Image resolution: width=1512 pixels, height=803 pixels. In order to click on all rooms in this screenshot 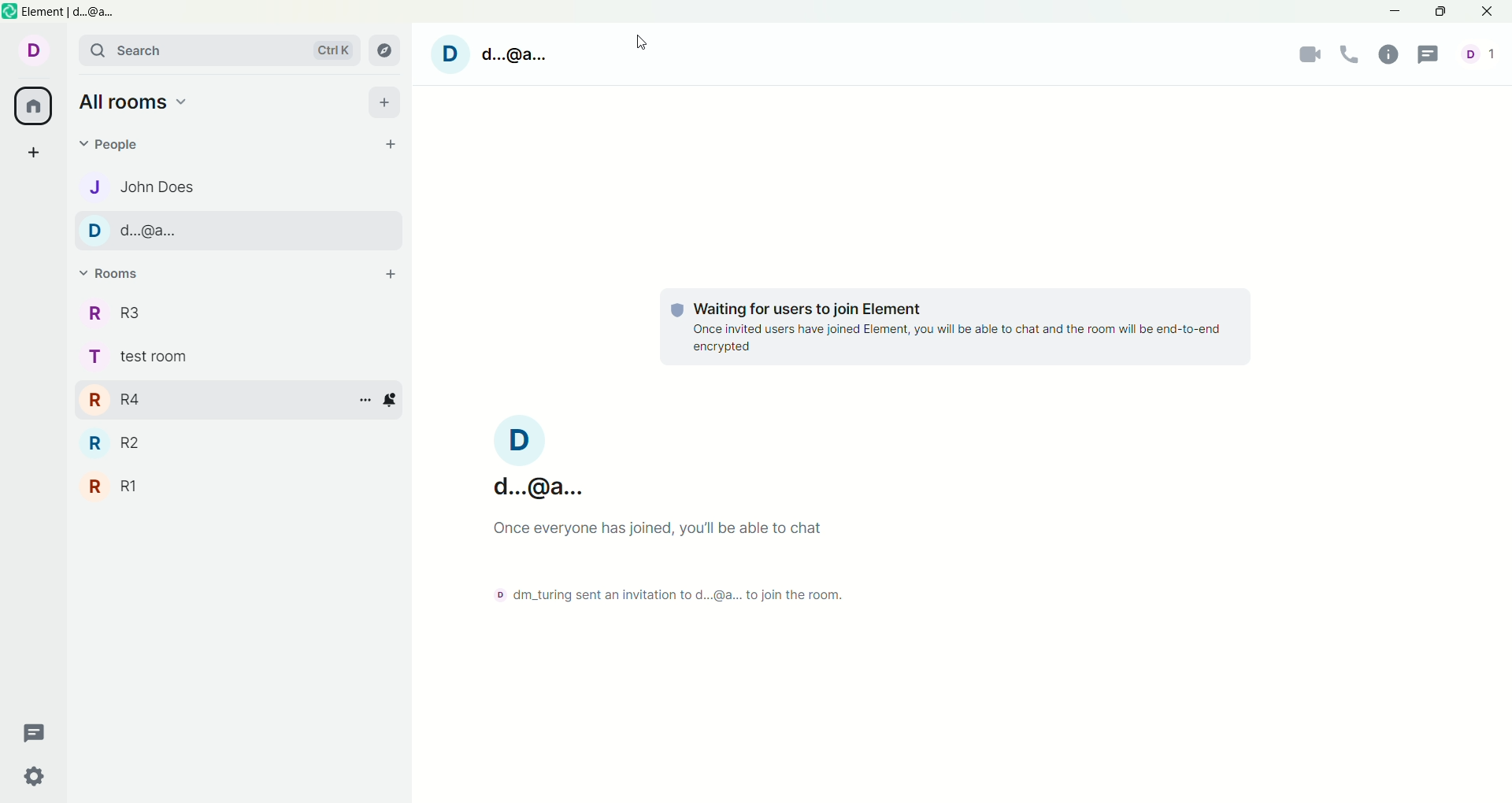, I will do `click(139, 101)`.